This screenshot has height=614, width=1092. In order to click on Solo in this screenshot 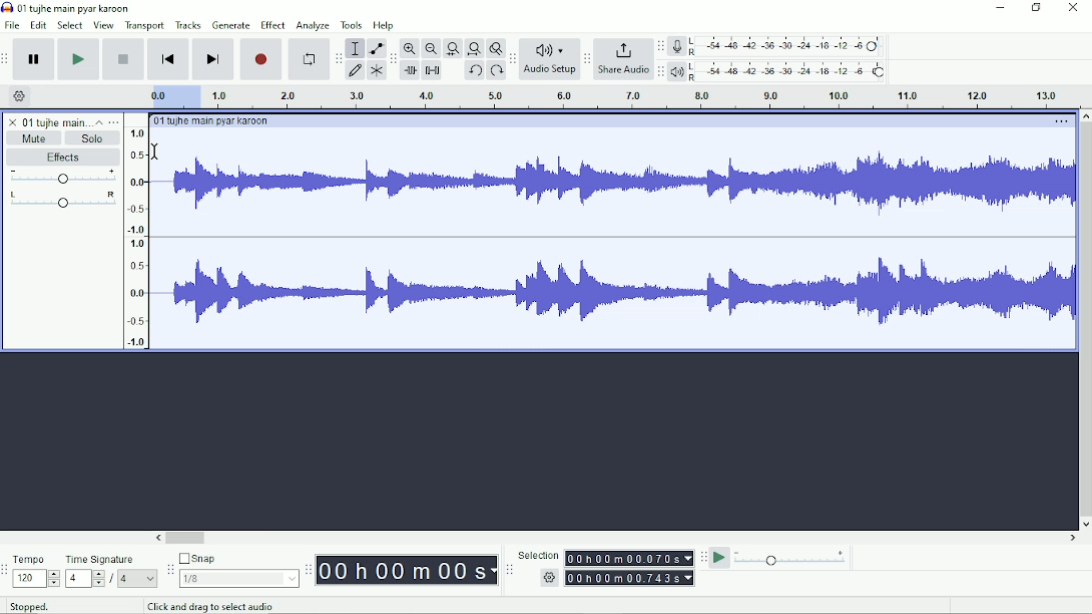, I will do `click(93, 138)`.